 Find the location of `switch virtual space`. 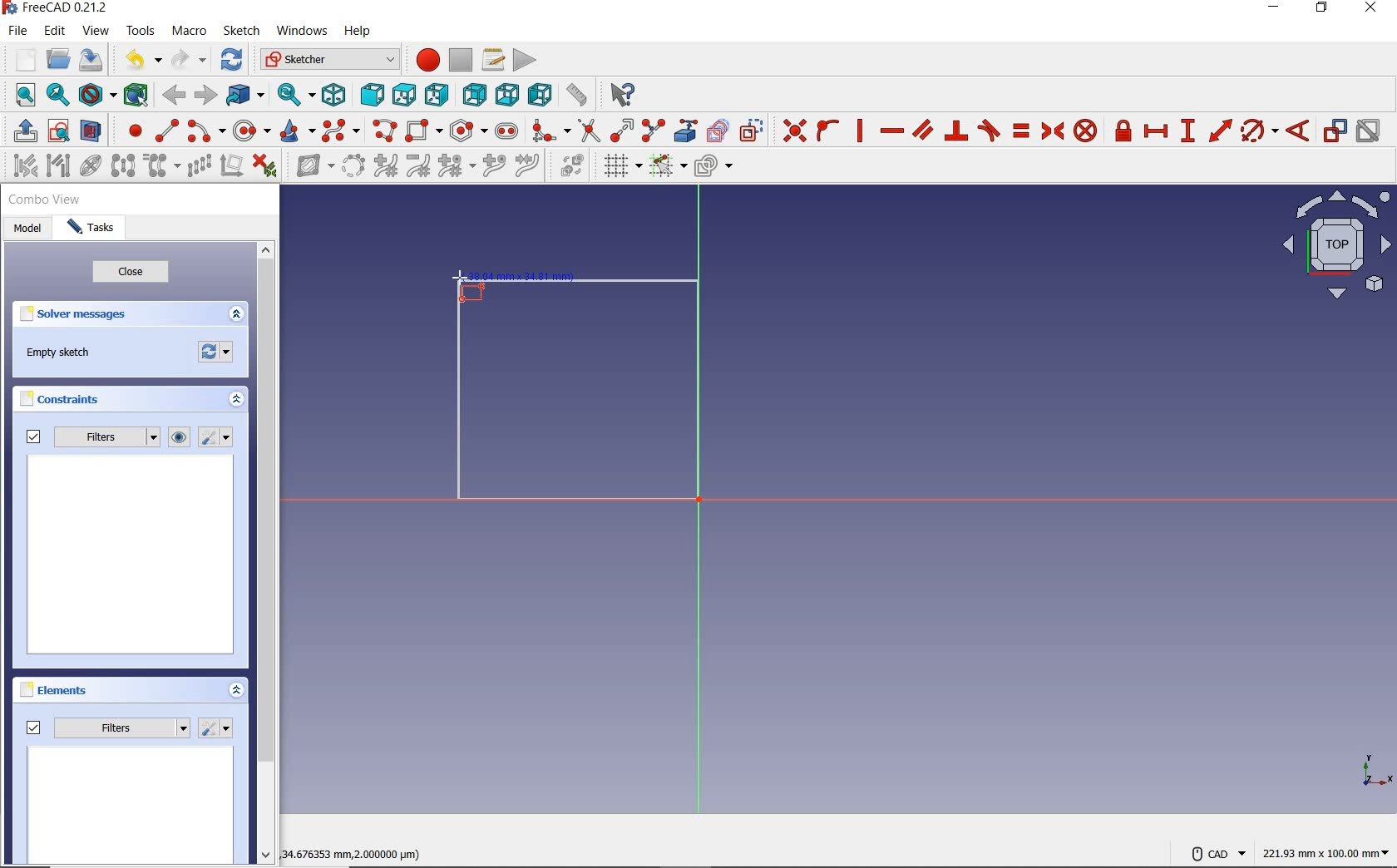

switch virtual space is located at coordinates (574, 168).